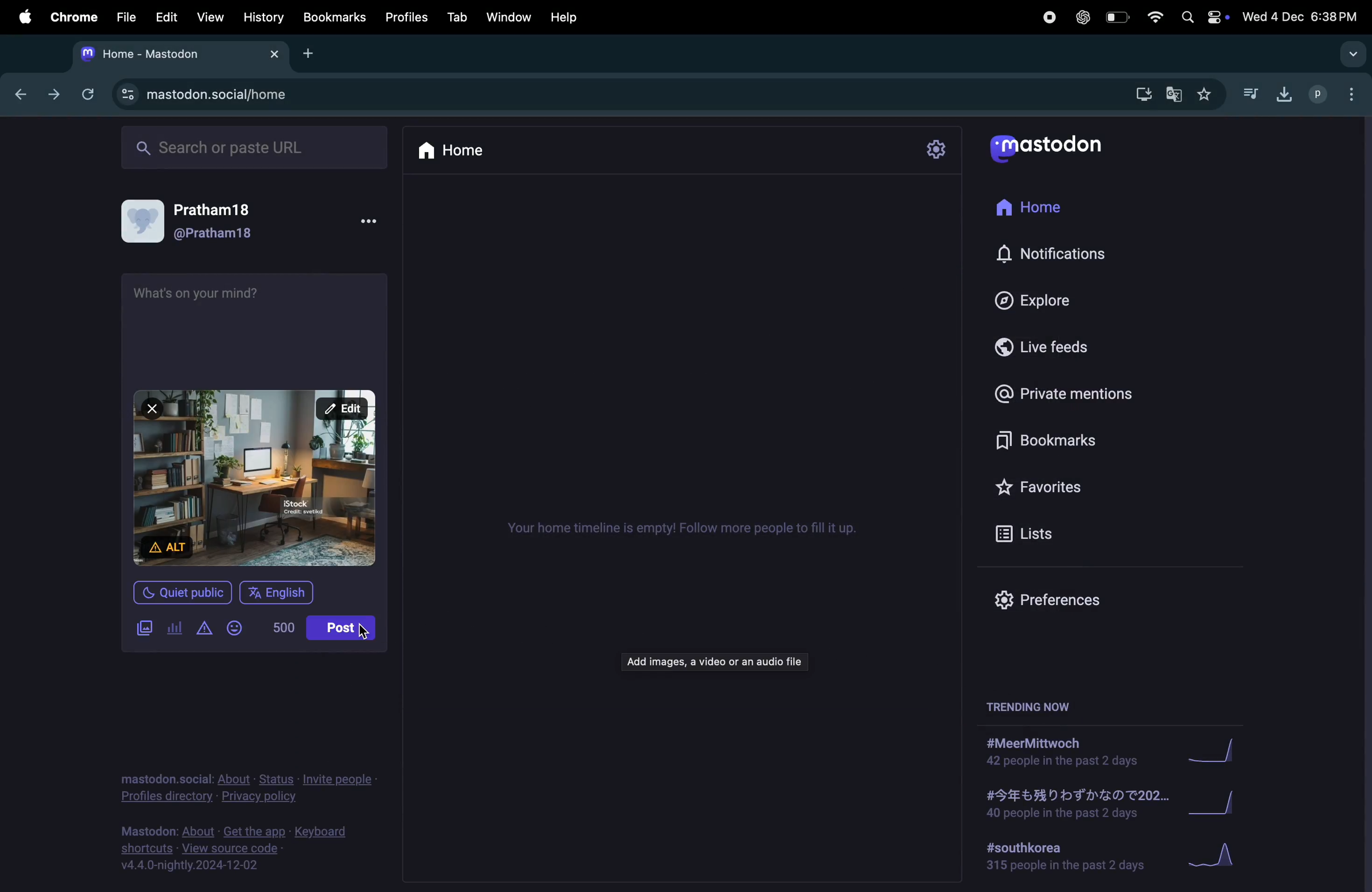 The height and width of the screenshot is (892, 1372). Describe the element at coordinates (259, 18) in the screenshot. I see `History` at that location.